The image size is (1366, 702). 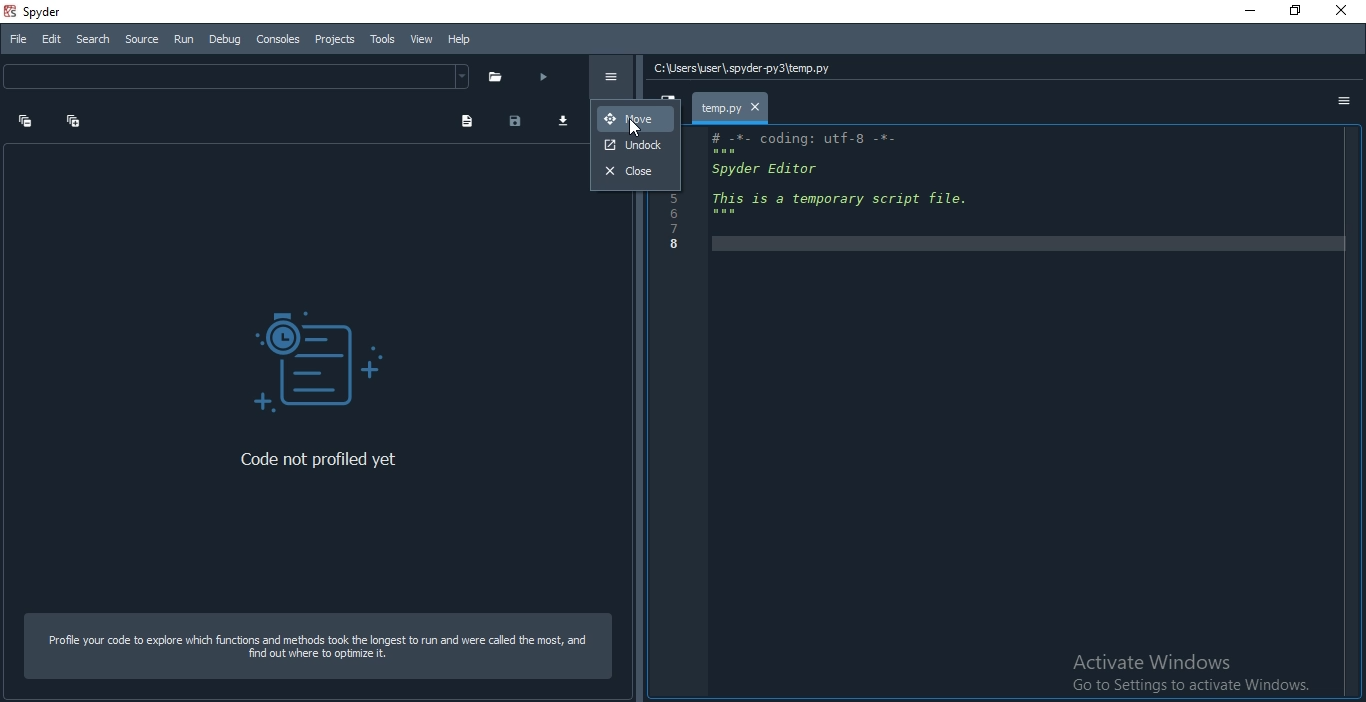 What do you see at coordinates (520, 123) in the screenshot?
I see `save` at bounding box center [520, 123].